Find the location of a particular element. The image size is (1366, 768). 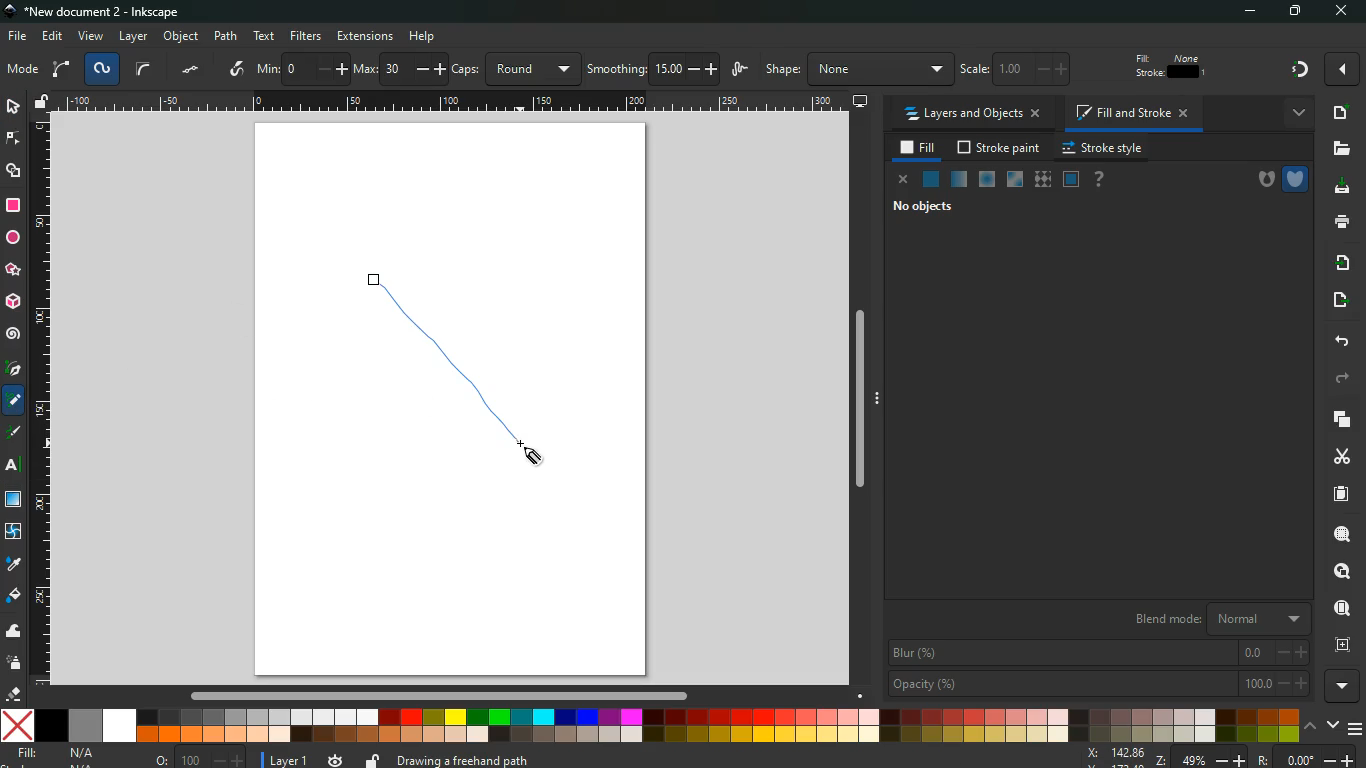

inkscape is located at coordinates (106, 11).